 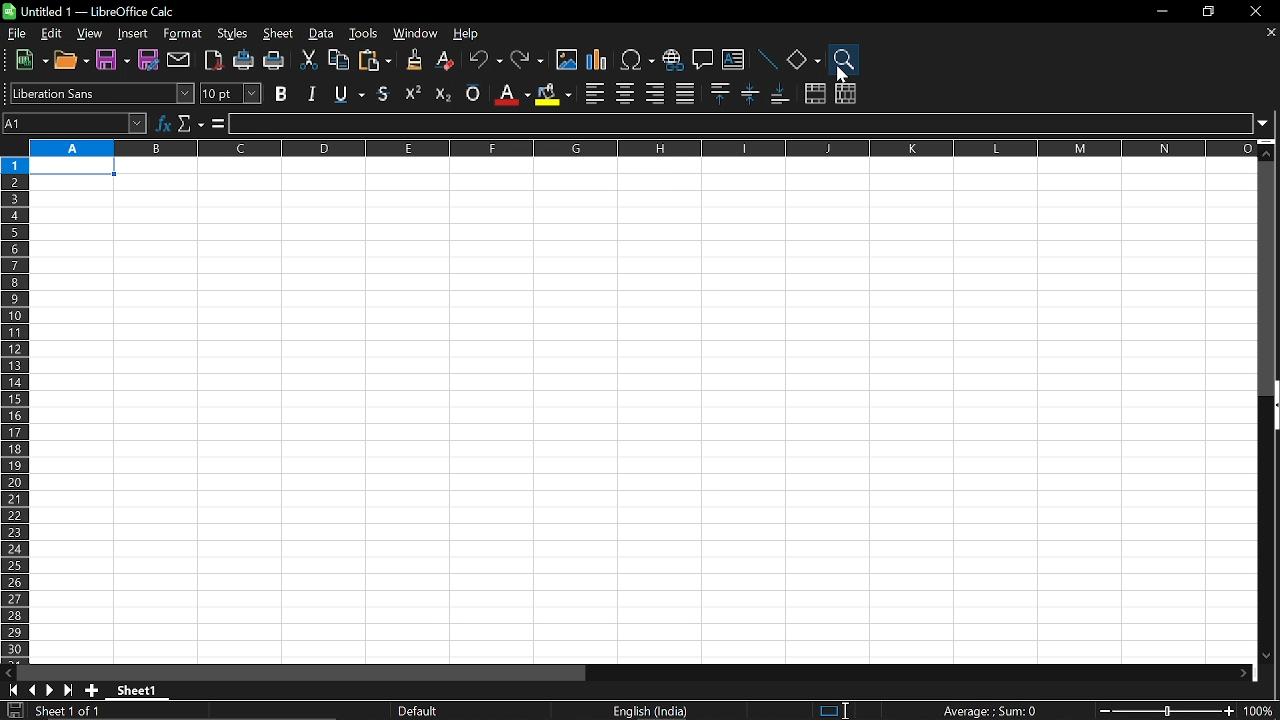 What do you see at coordinates (51, 34) in the screenshot?
I see `edit` at bounding box center [51, 34].